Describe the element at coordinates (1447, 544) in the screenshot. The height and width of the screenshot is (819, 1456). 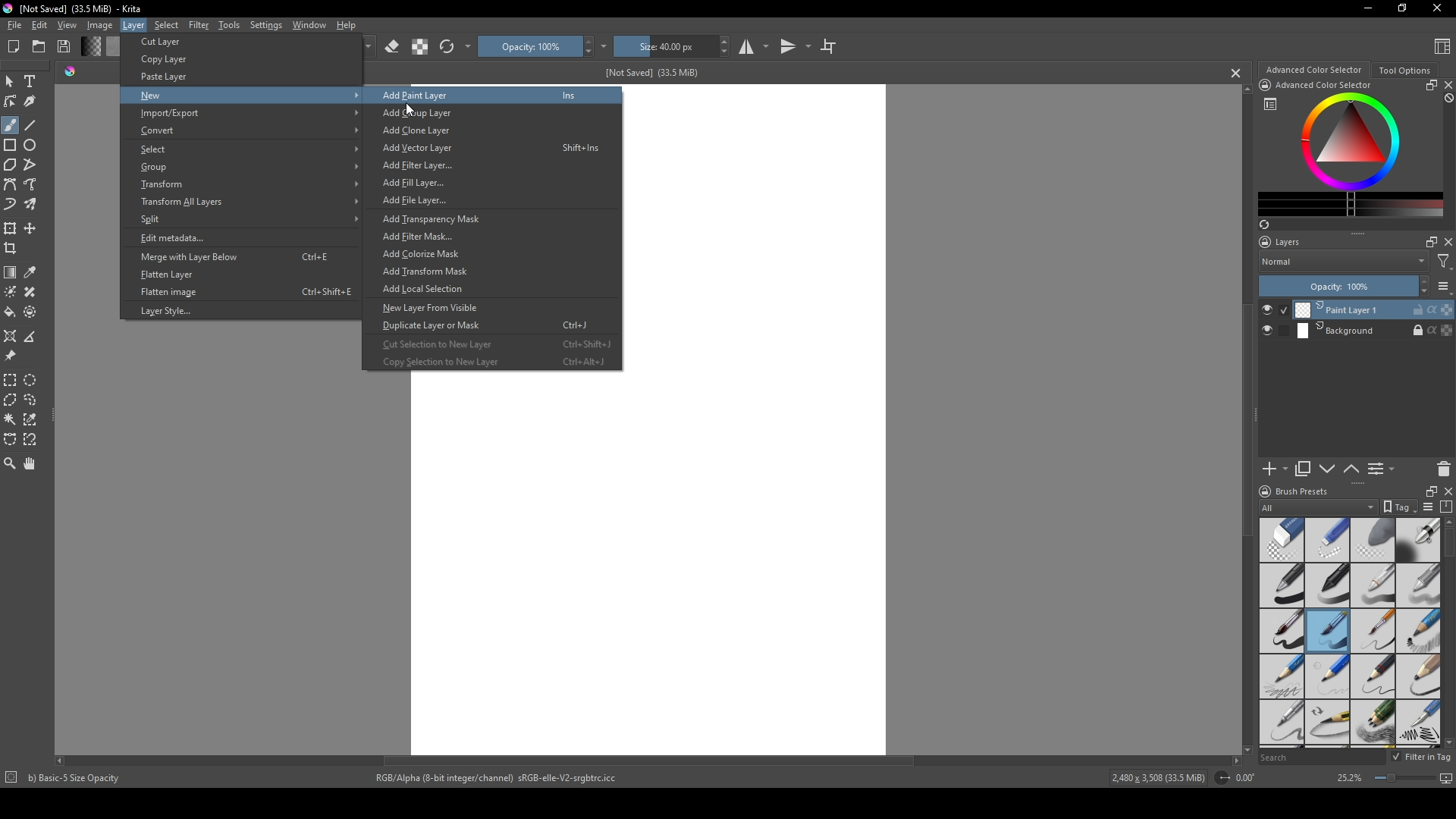
I see `scroll bar` at that location.